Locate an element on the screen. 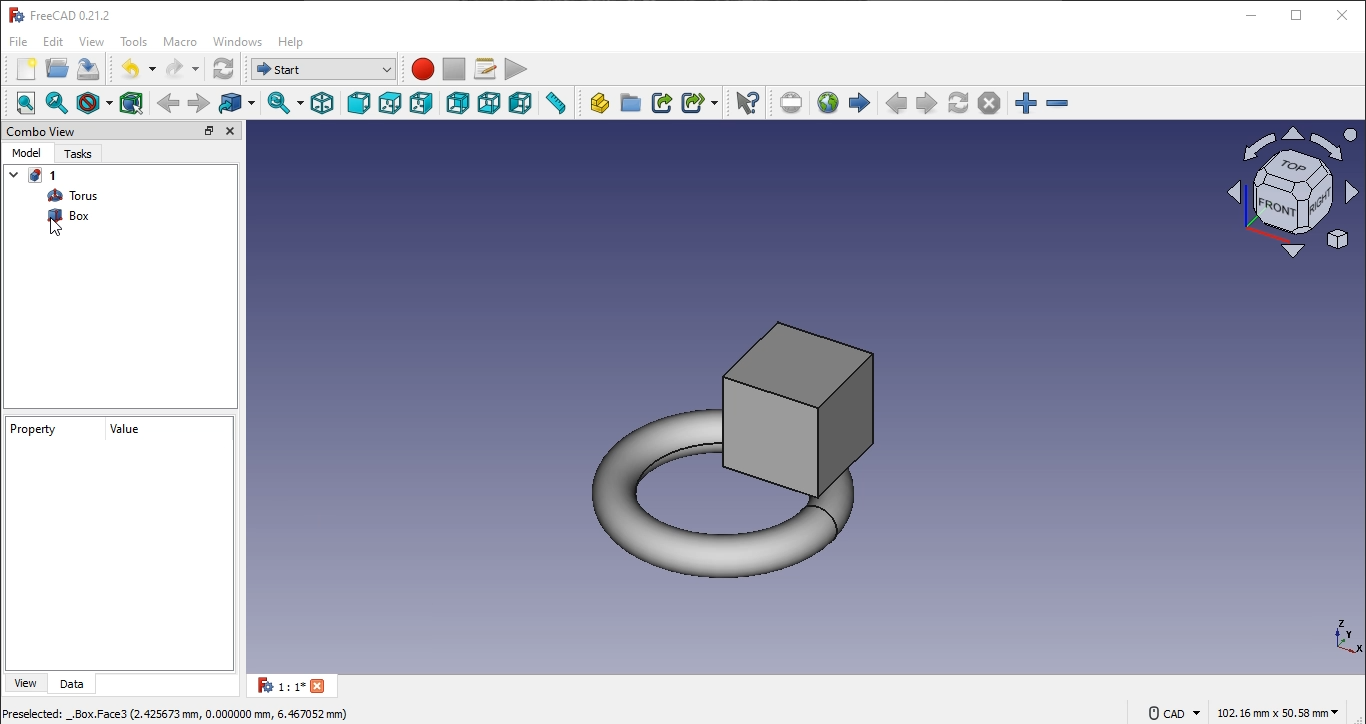  workbench is located at coordinates (223, 68).